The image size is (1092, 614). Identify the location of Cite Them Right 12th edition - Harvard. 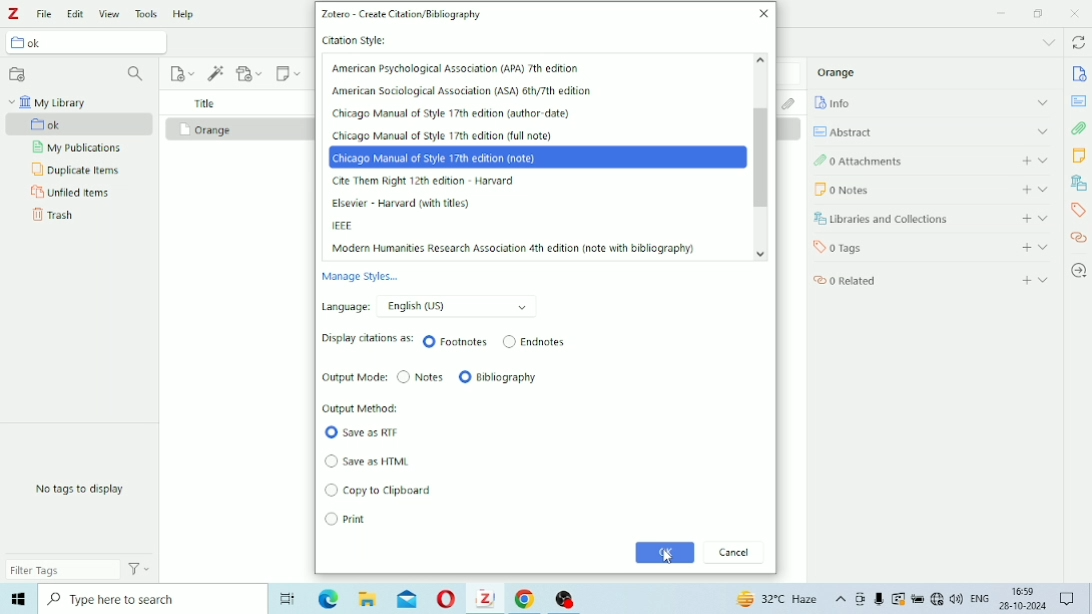
(429, 181).